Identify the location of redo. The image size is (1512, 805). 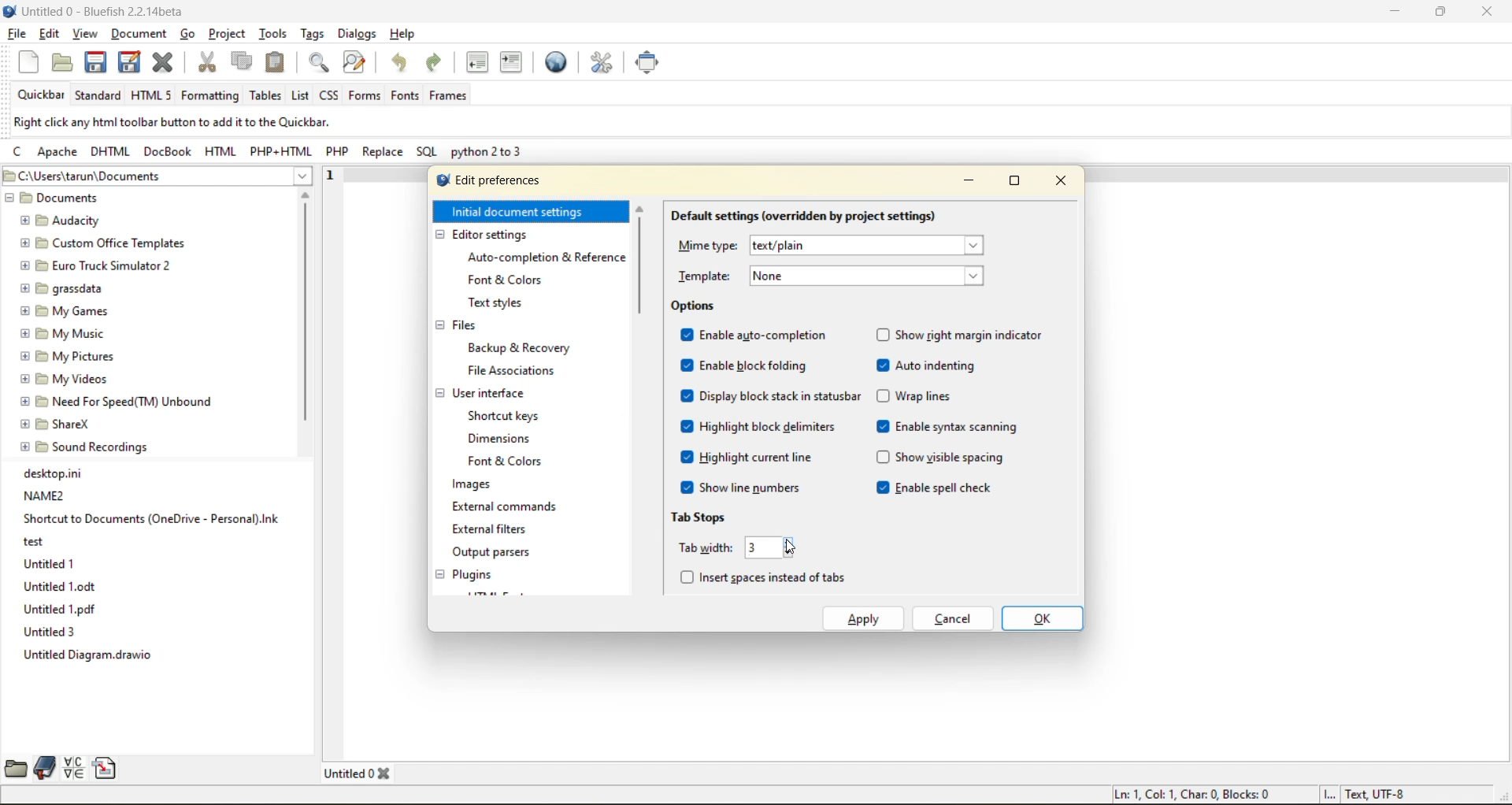
(438, 64).